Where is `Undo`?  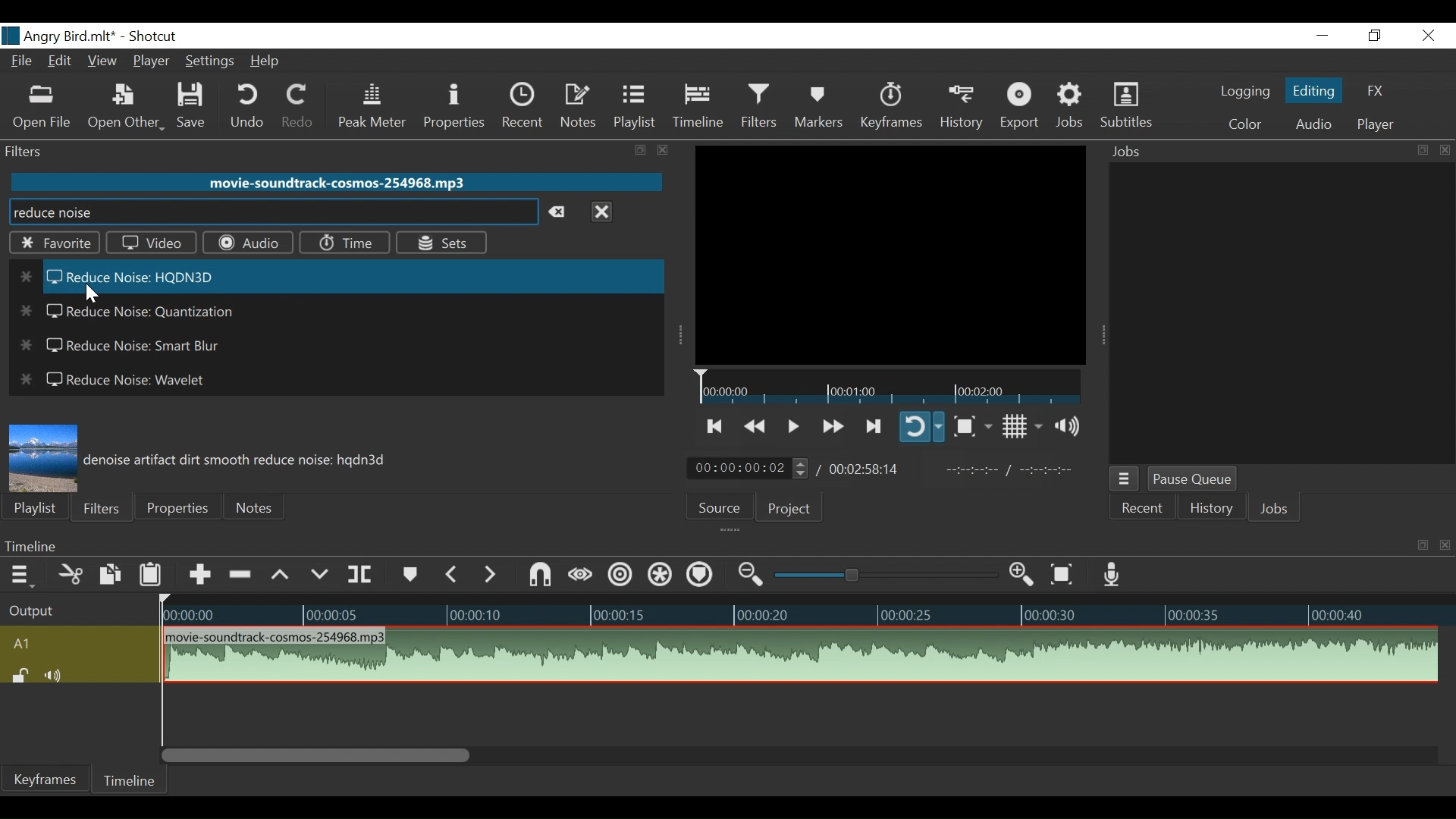 Undo is located at coordinates (247, 107).